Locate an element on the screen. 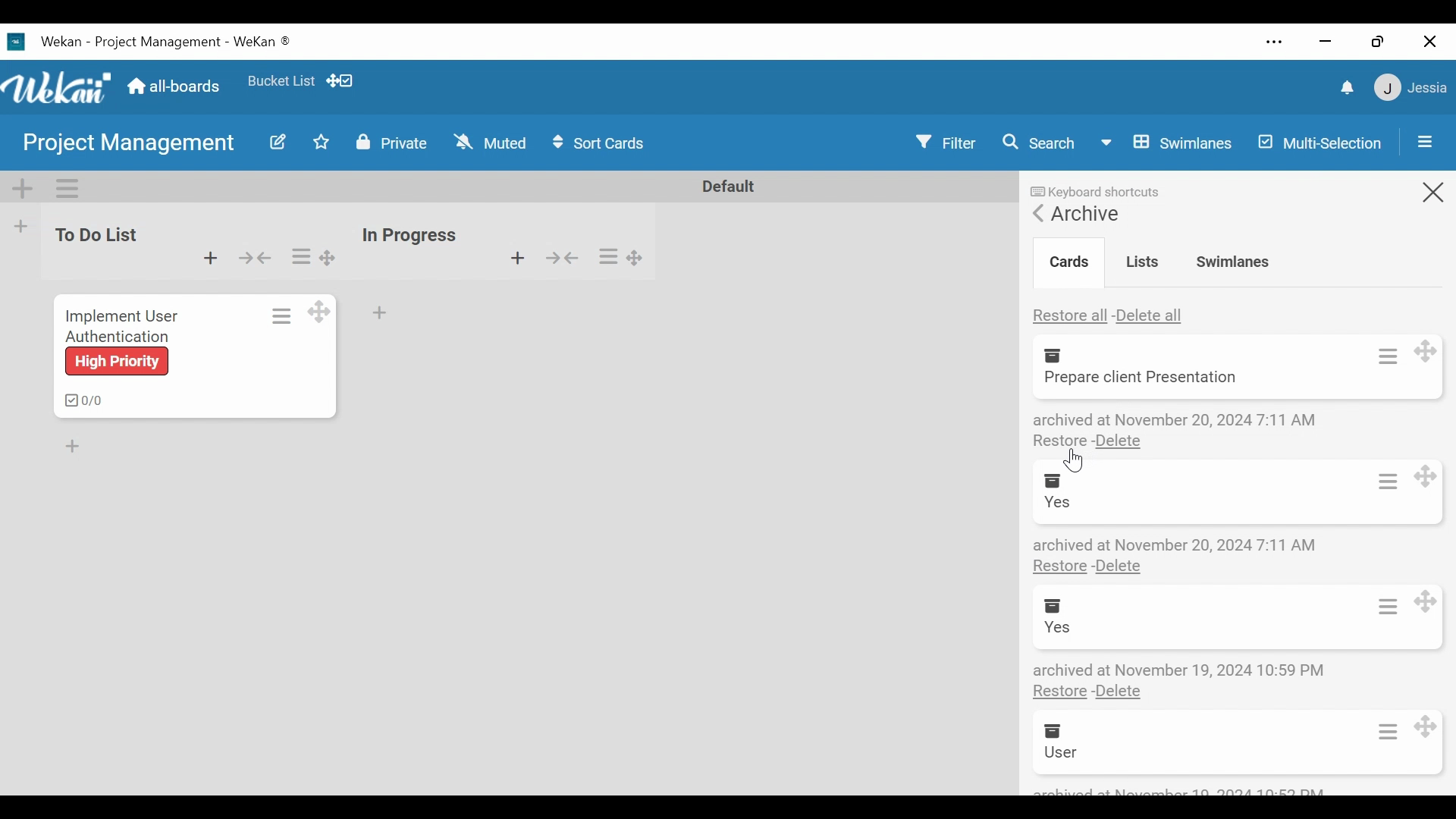  restore is located at coordinates (1061, 442).